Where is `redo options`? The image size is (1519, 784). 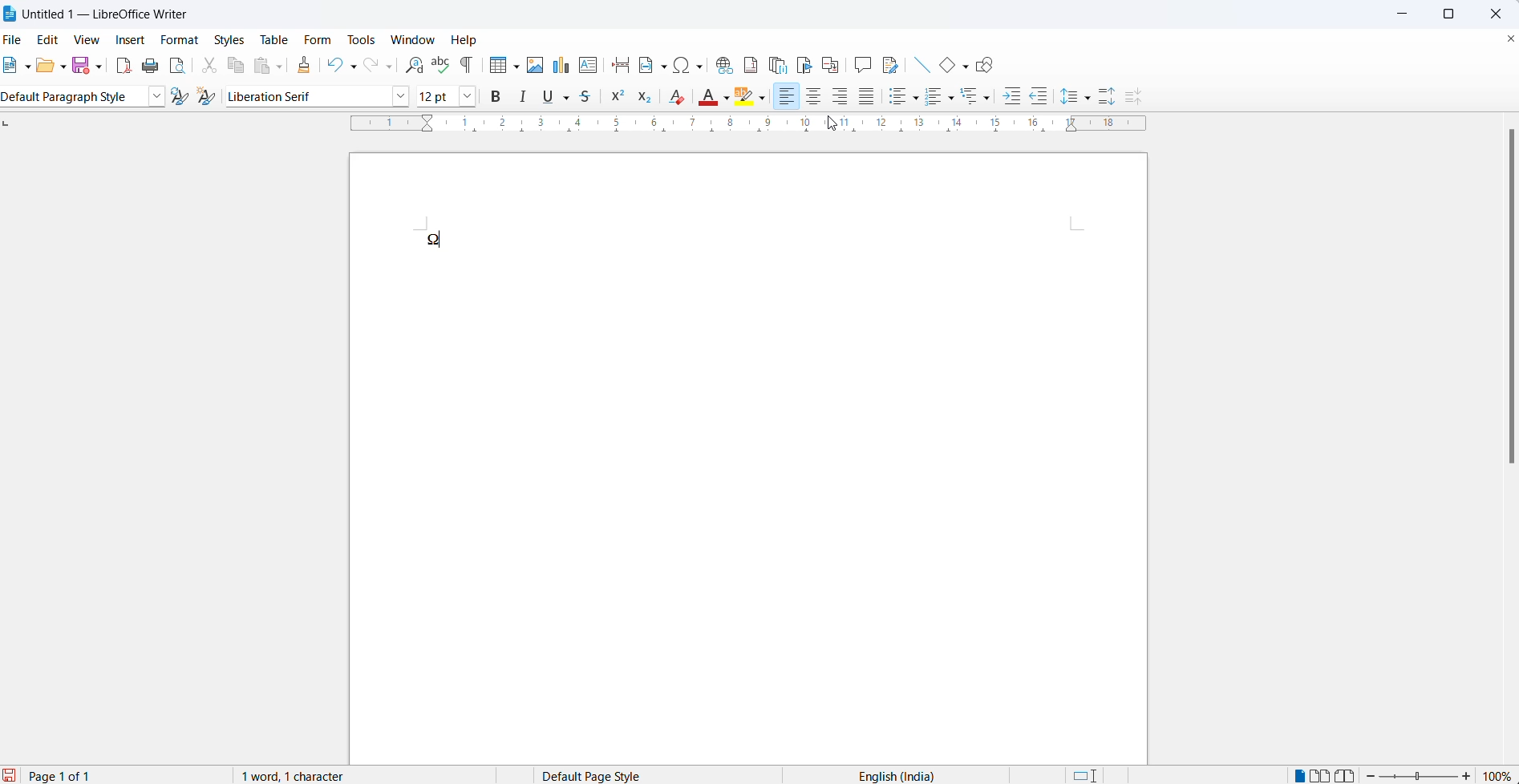 redo options is located at coordinates (391, 68).